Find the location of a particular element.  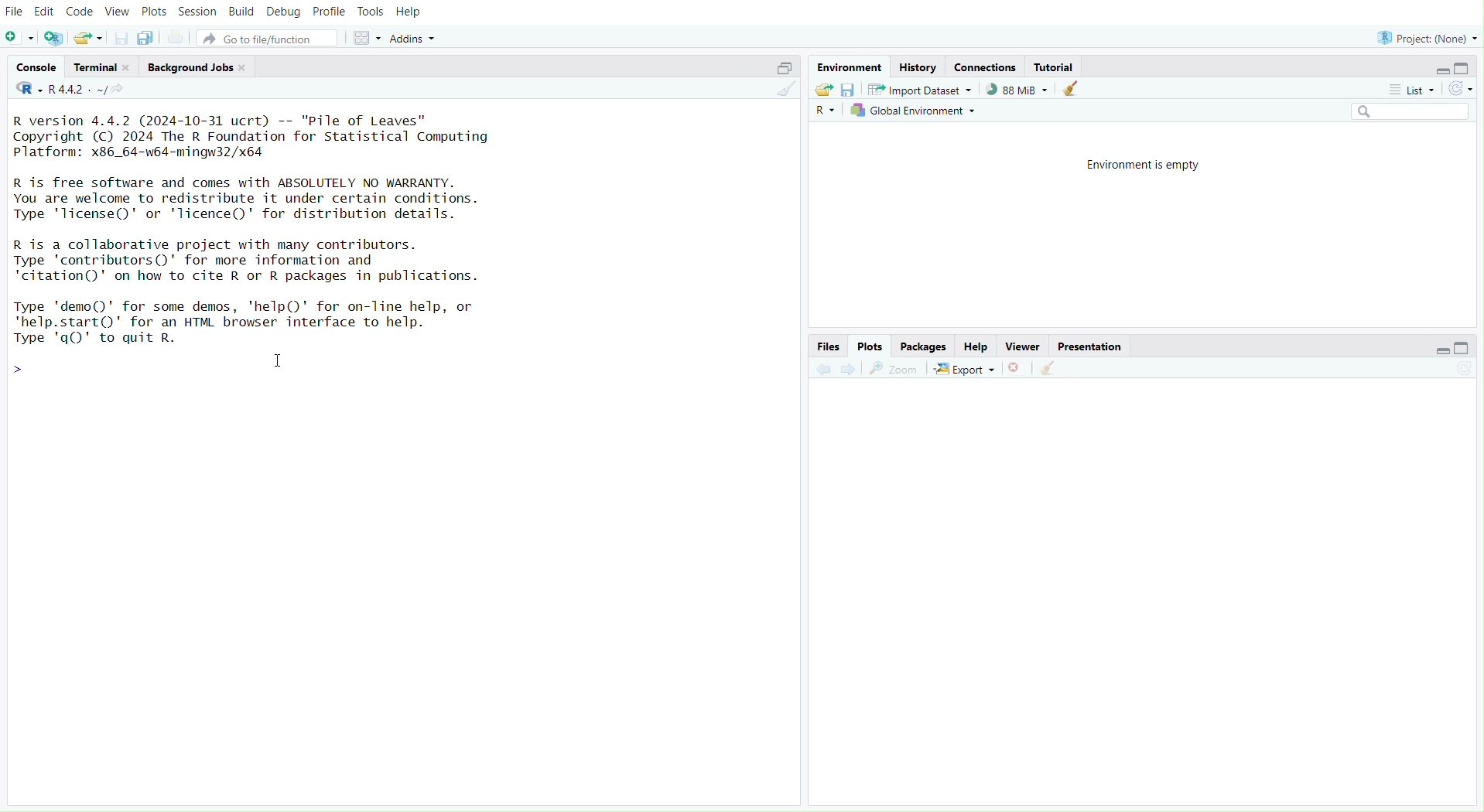

Session is located at coordinates (199, 12).